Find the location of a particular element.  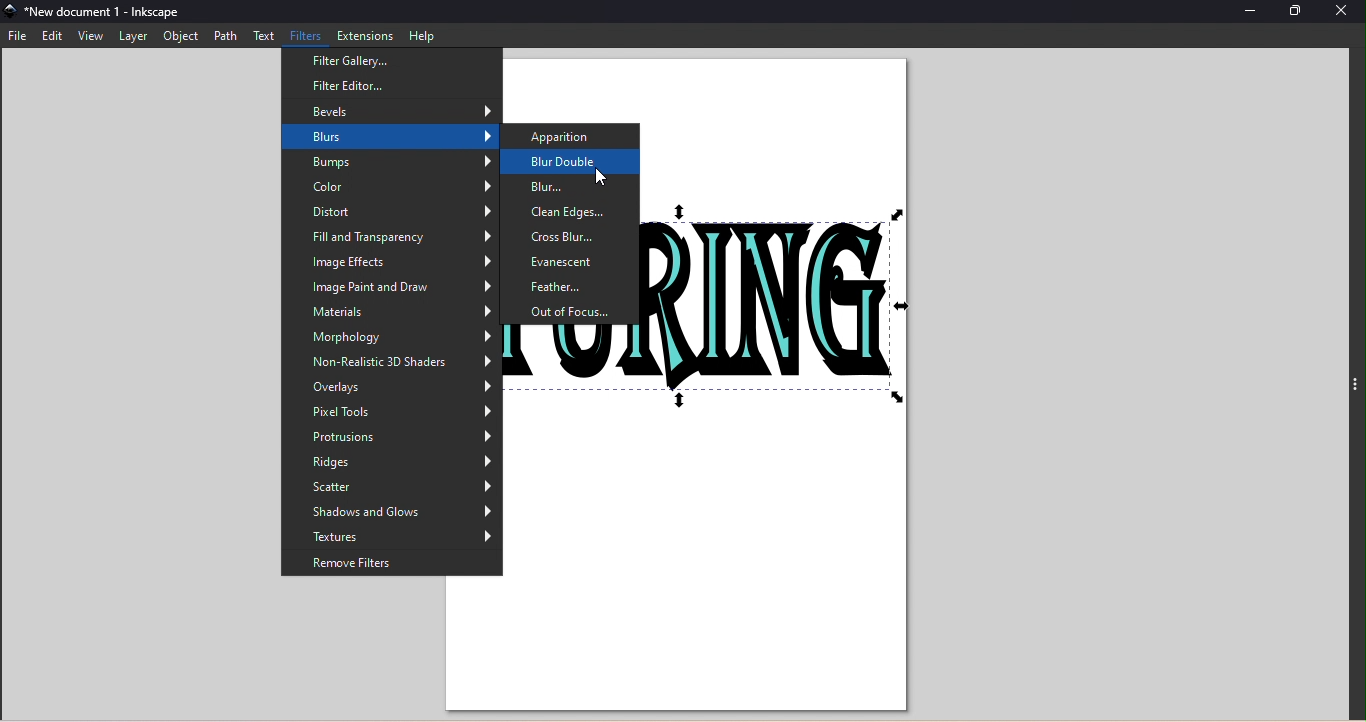

Maximize is located at coordinates (1295, 12).